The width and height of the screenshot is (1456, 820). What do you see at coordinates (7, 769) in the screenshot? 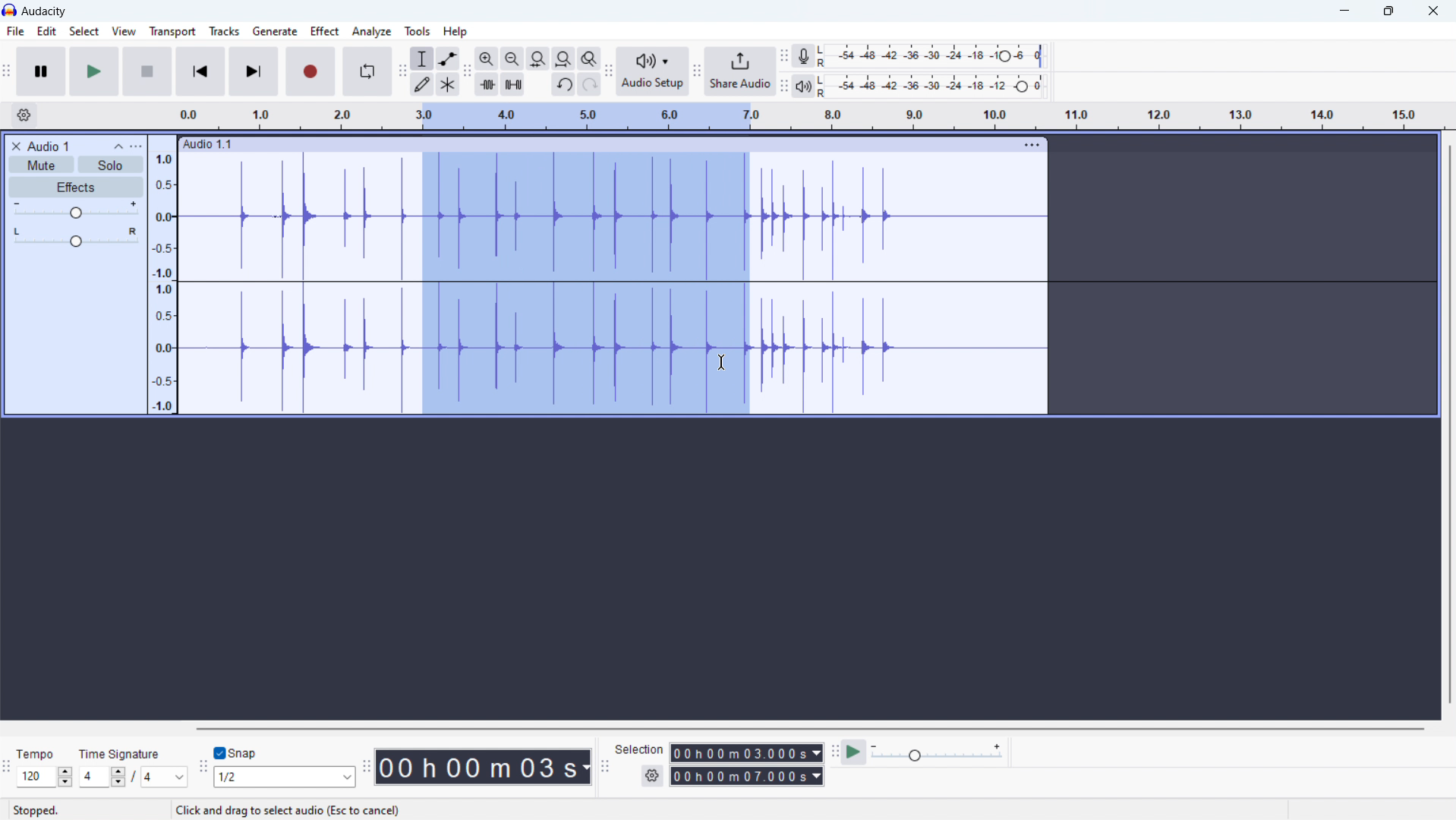
I see `time signature toolbar` at bounding box center [7, 769].